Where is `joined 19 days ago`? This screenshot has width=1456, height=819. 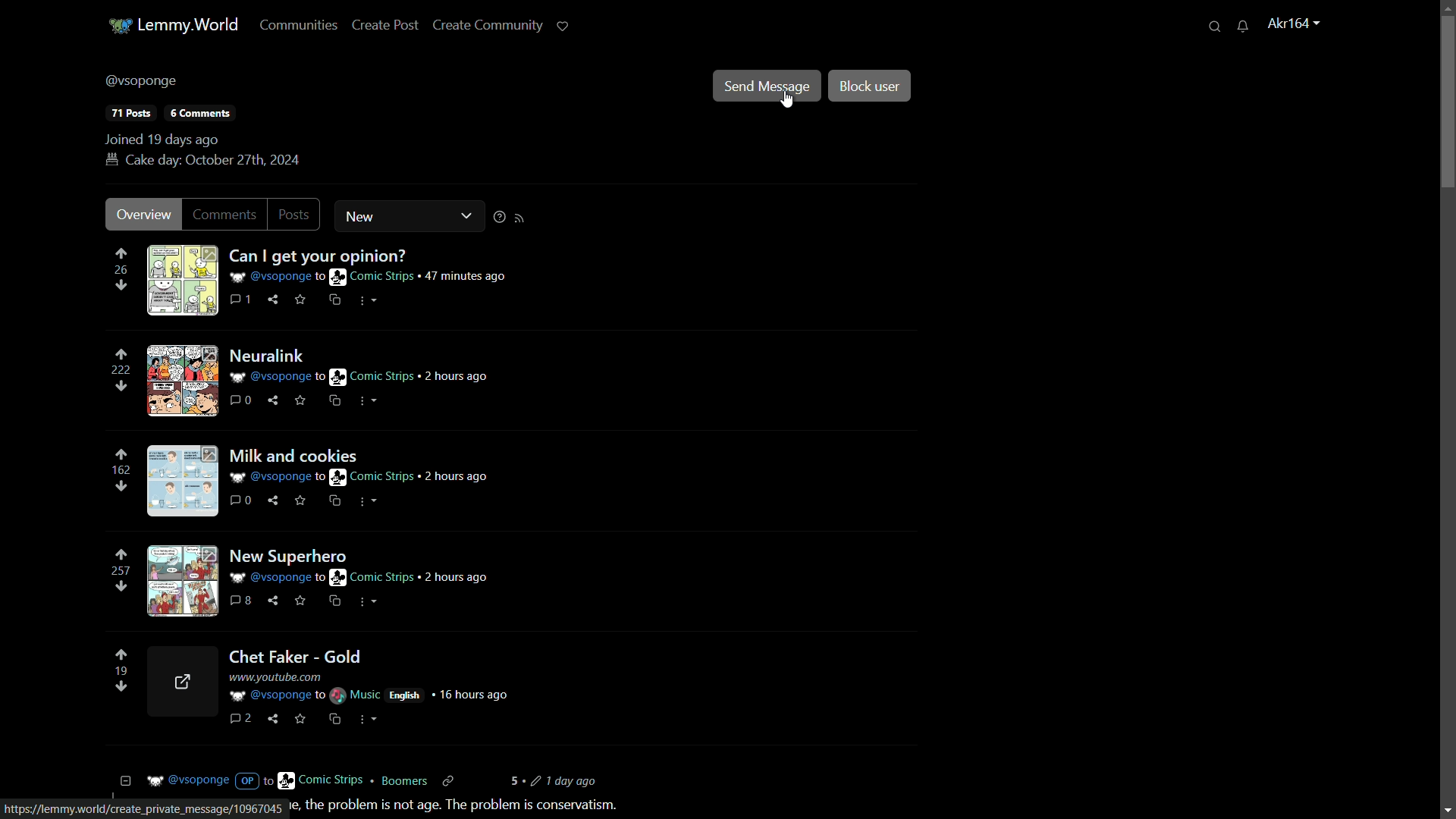
joined 19 days ago is located at coordinates (163, 140).